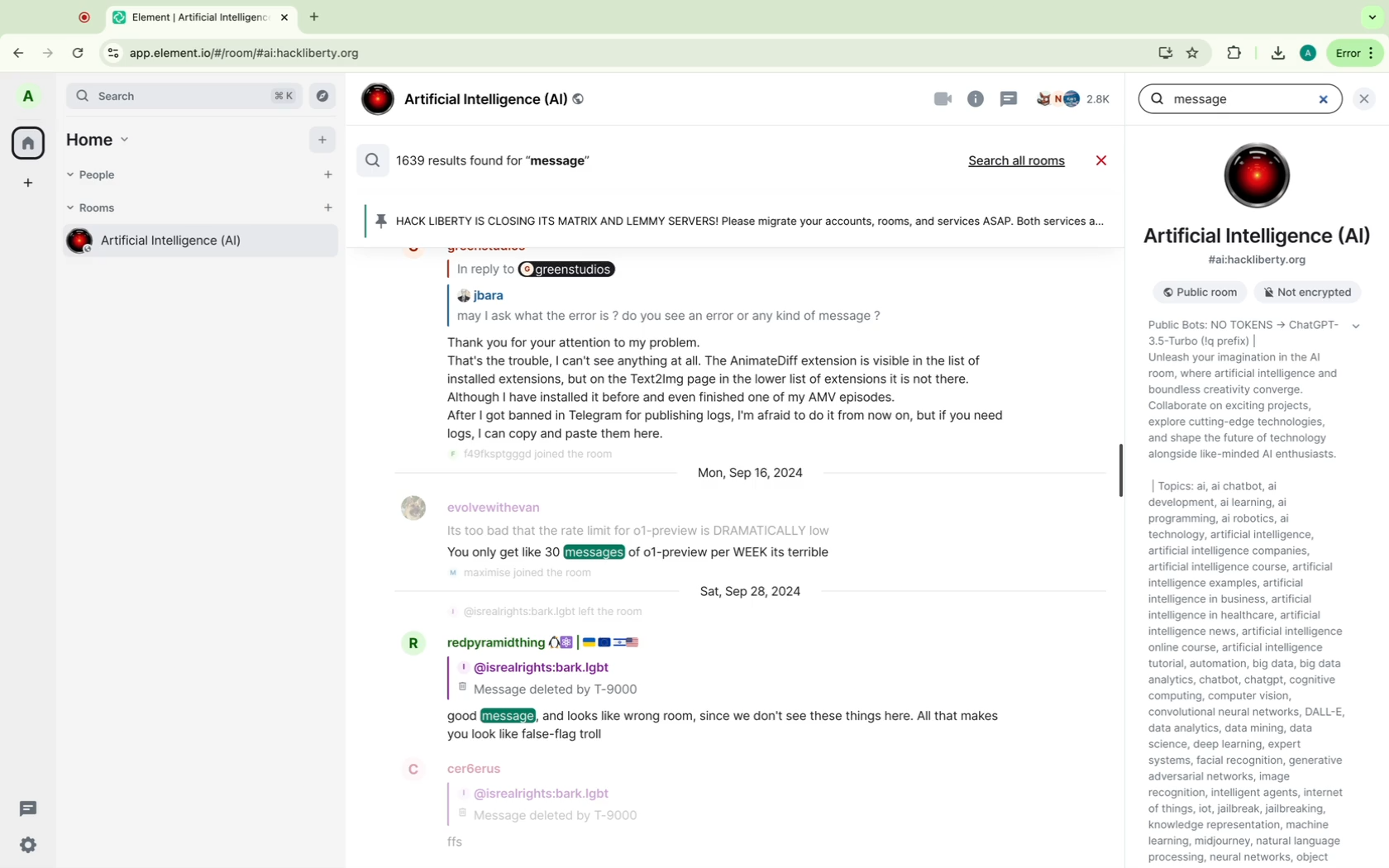 The width and height of the screenshot is (1389, 868). I want to click on group picture, so click(1256, 175).